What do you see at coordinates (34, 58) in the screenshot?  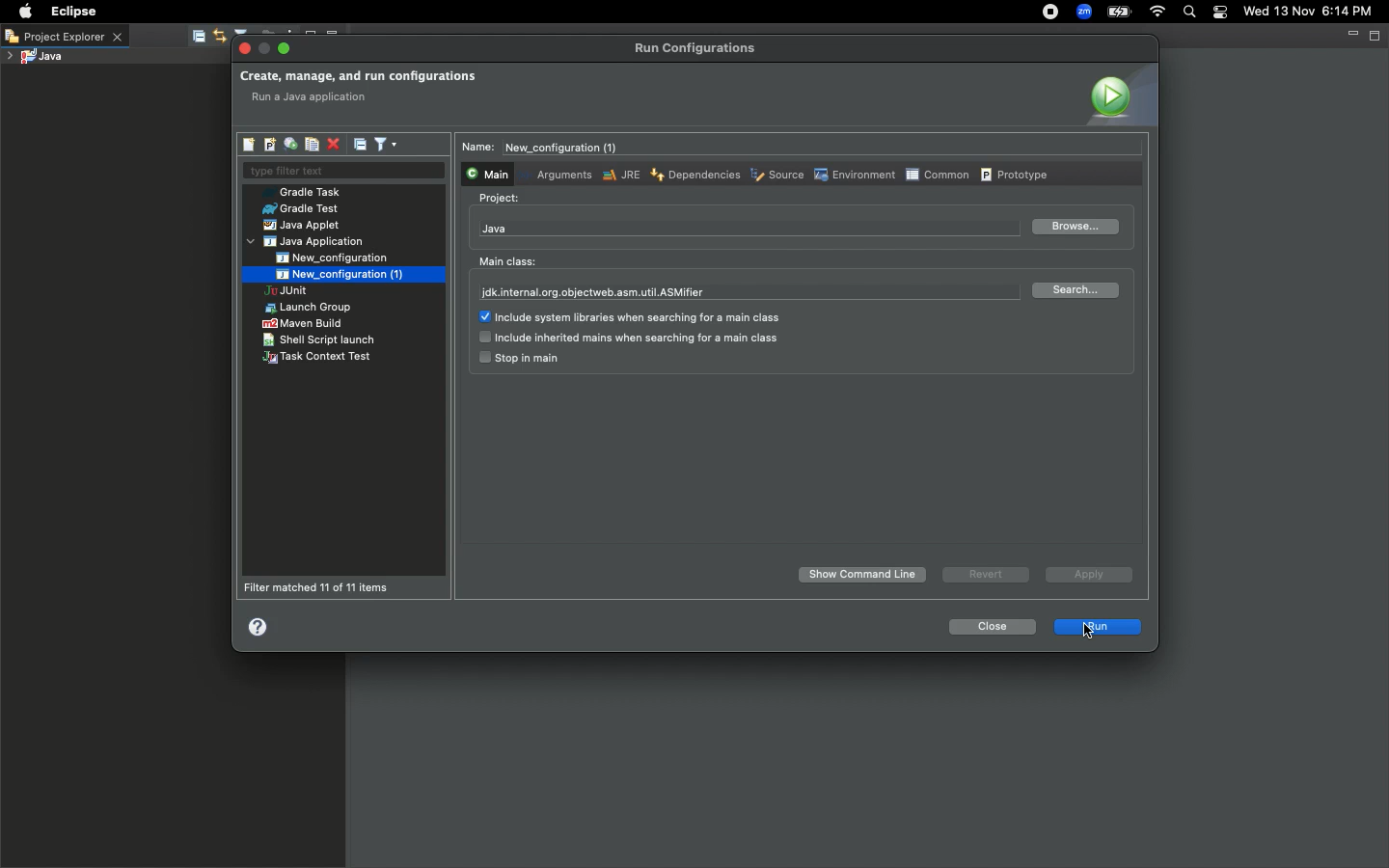 I see `Java project` at bounding box center [34, 58].